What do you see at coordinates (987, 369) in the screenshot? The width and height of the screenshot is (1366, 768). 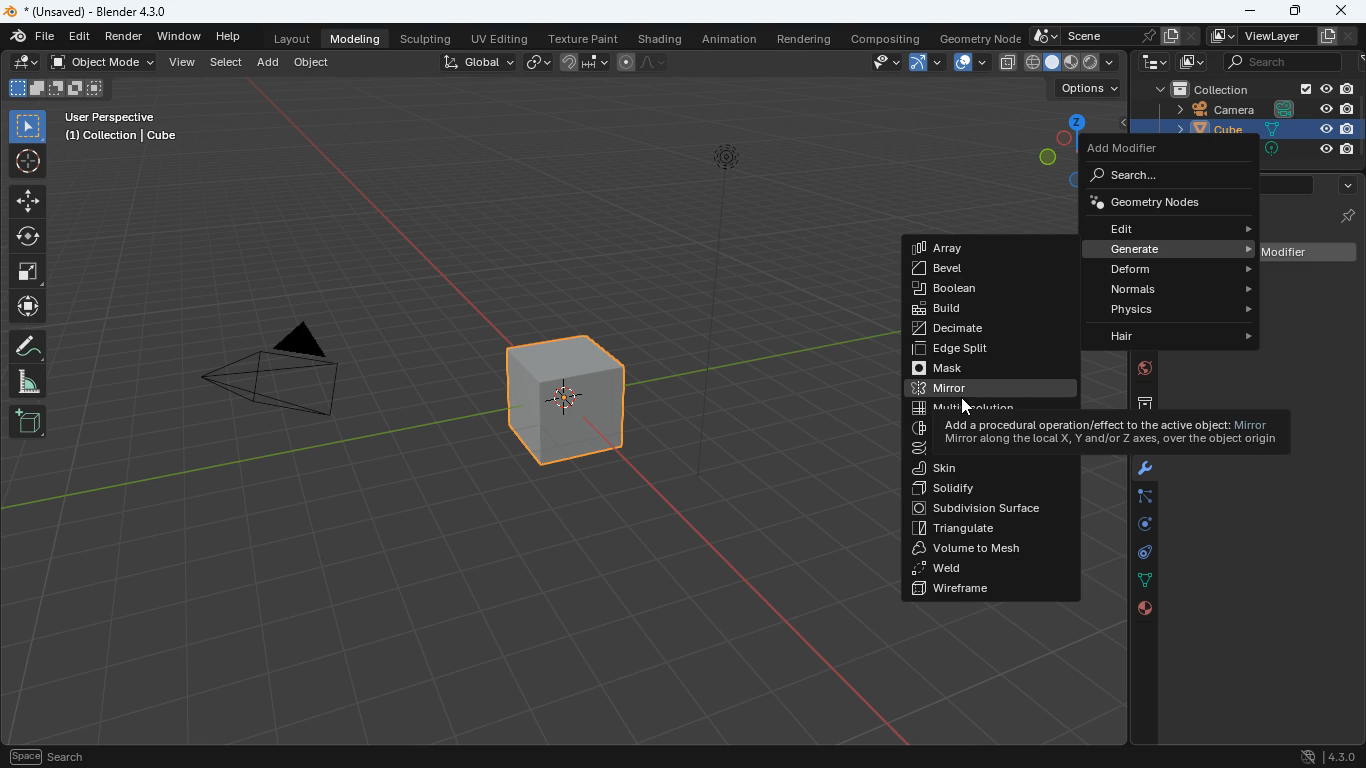 I see `mask` at bounding box center [987, 369].